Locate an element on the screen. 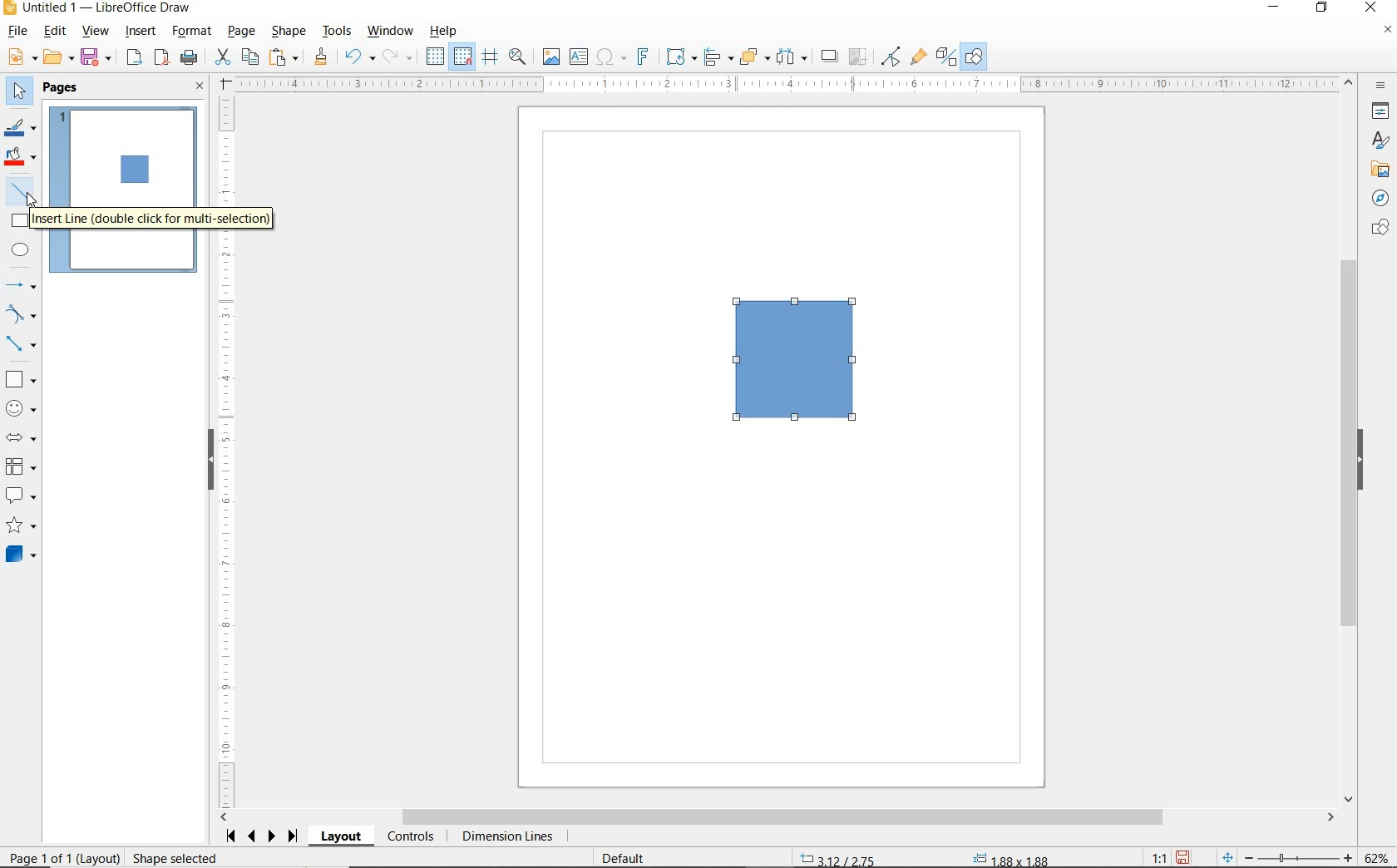 The width and height of the screenshot is (1397, 868). EXPORT is located at coordinates (135, 59).